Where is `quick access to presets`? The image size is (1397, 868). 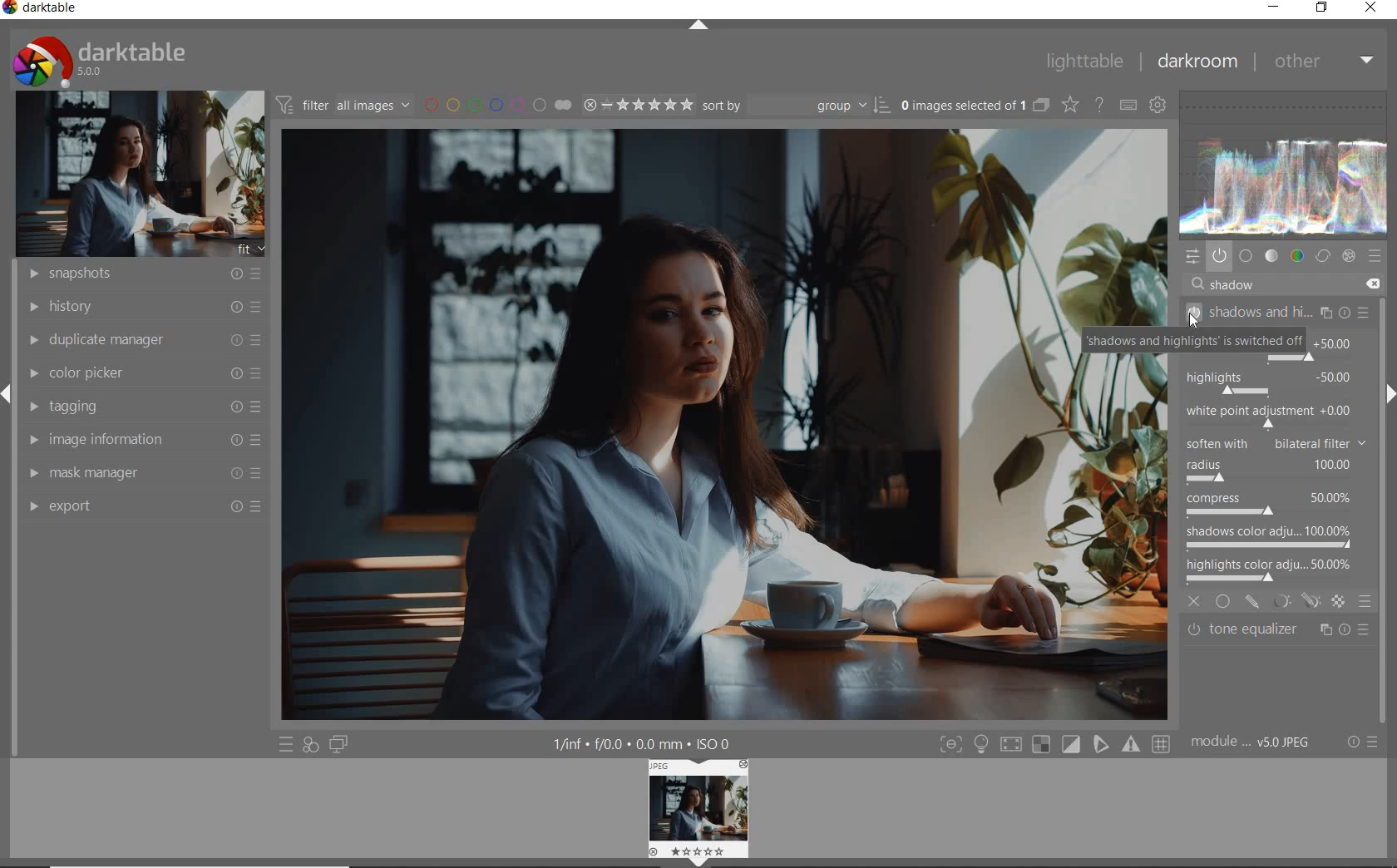
quick access to presets is located at coordinates (286, 744).